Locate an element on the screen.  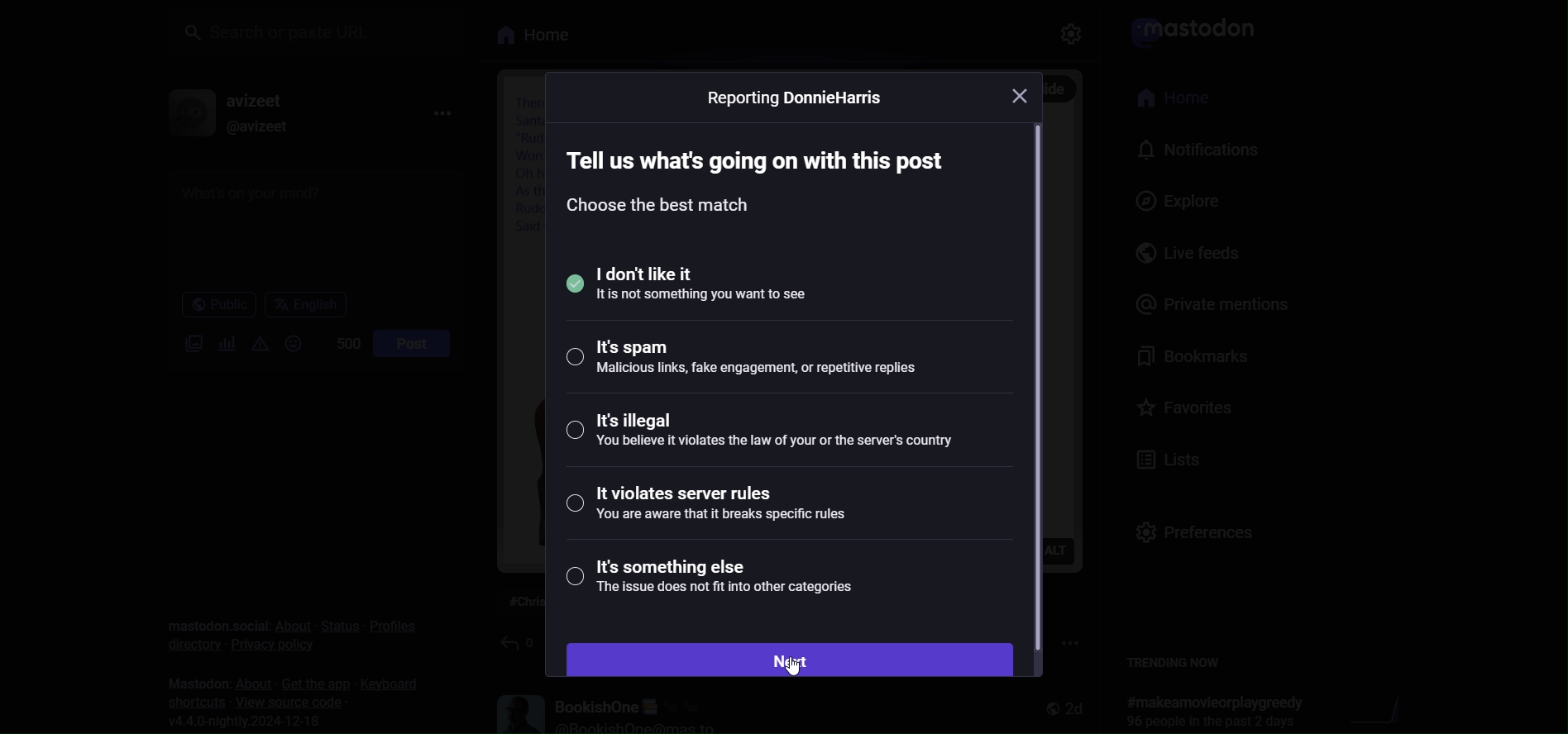
more is located at coordinates (443, 111).